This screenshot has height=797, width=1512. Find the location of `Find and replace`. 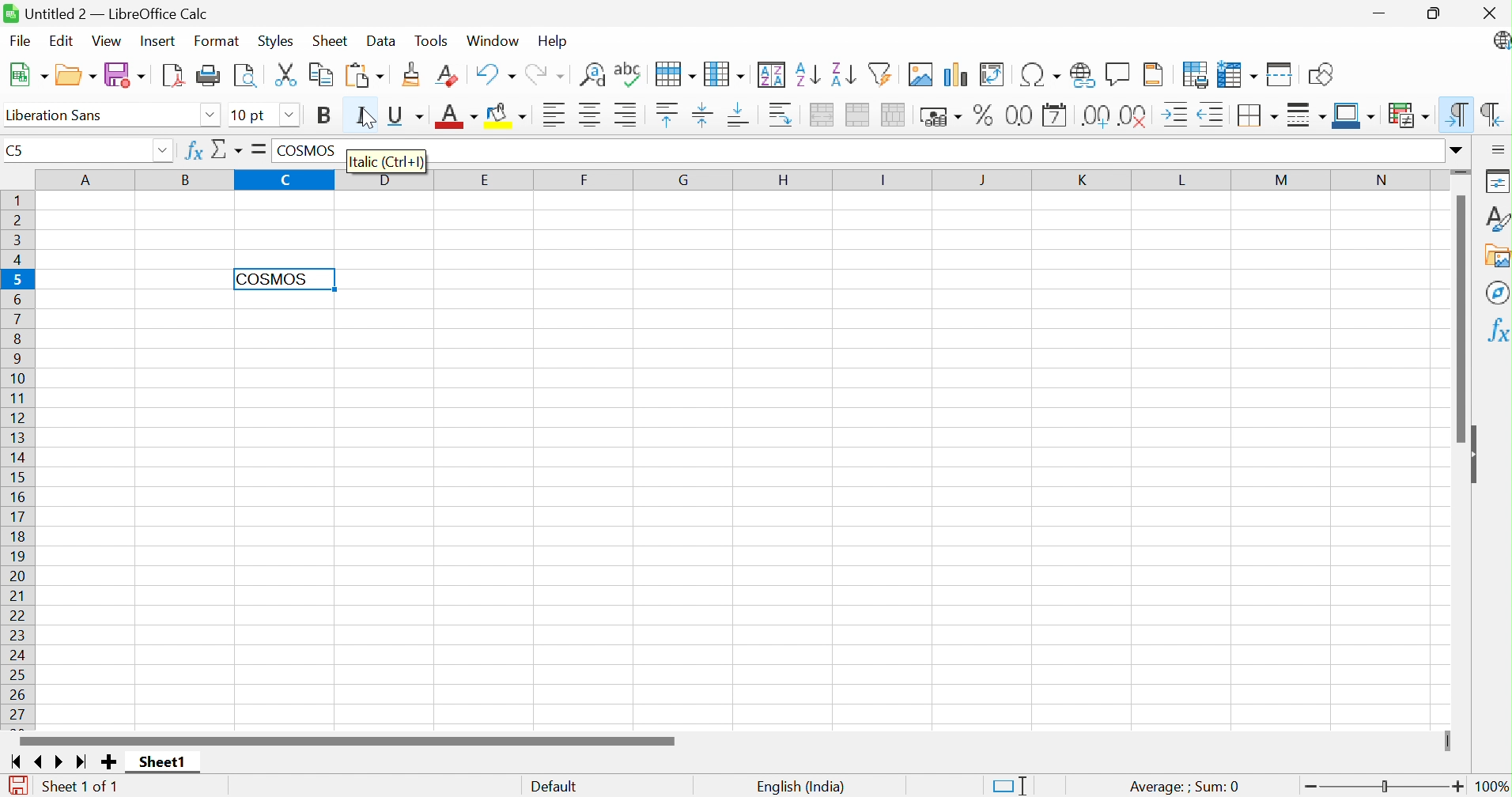

Find and replace is located at coordinates (592, 75).